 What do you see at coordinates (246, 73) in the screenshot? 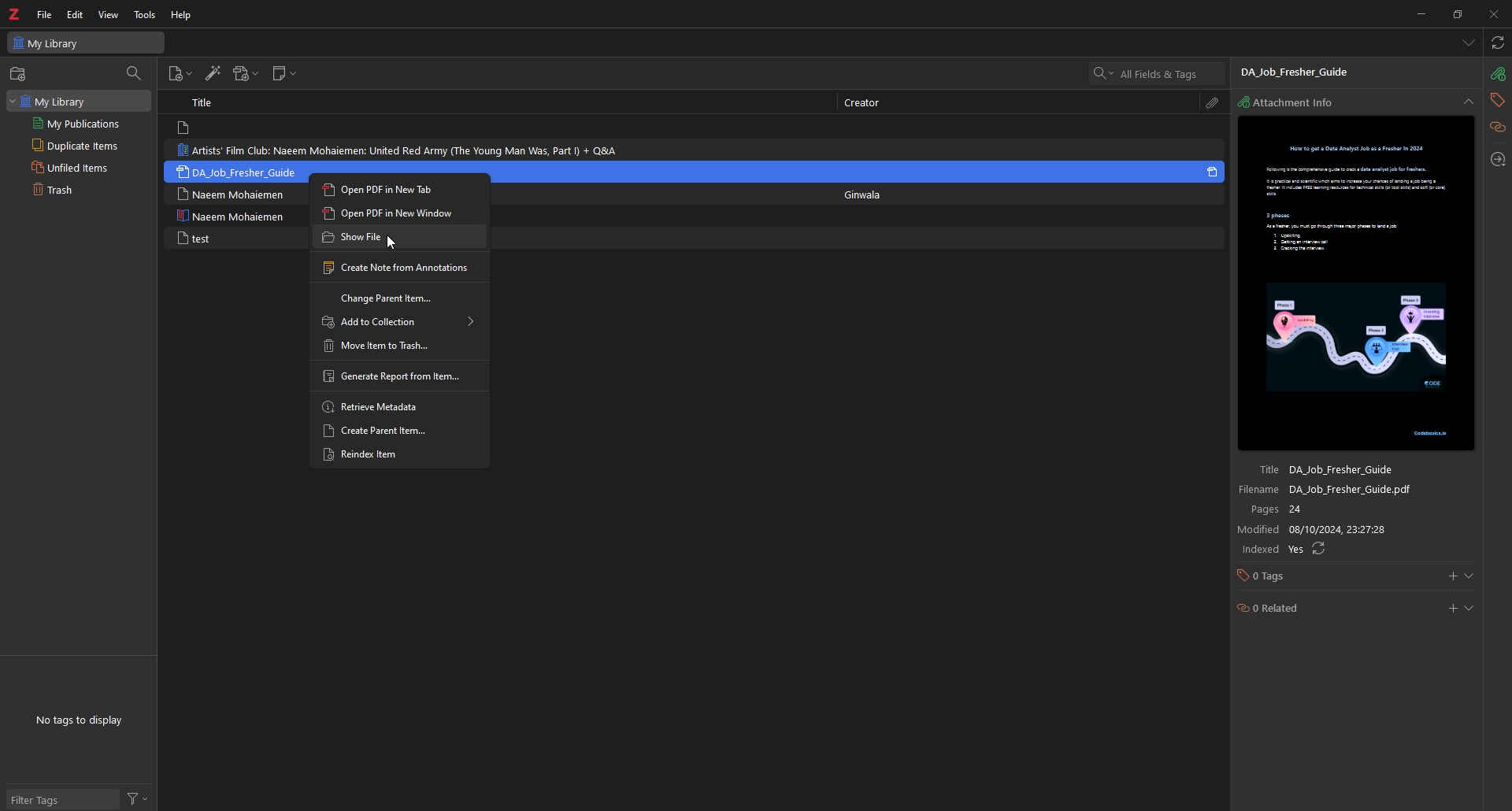
I see `add attachments` at bounding box center [246, 73].